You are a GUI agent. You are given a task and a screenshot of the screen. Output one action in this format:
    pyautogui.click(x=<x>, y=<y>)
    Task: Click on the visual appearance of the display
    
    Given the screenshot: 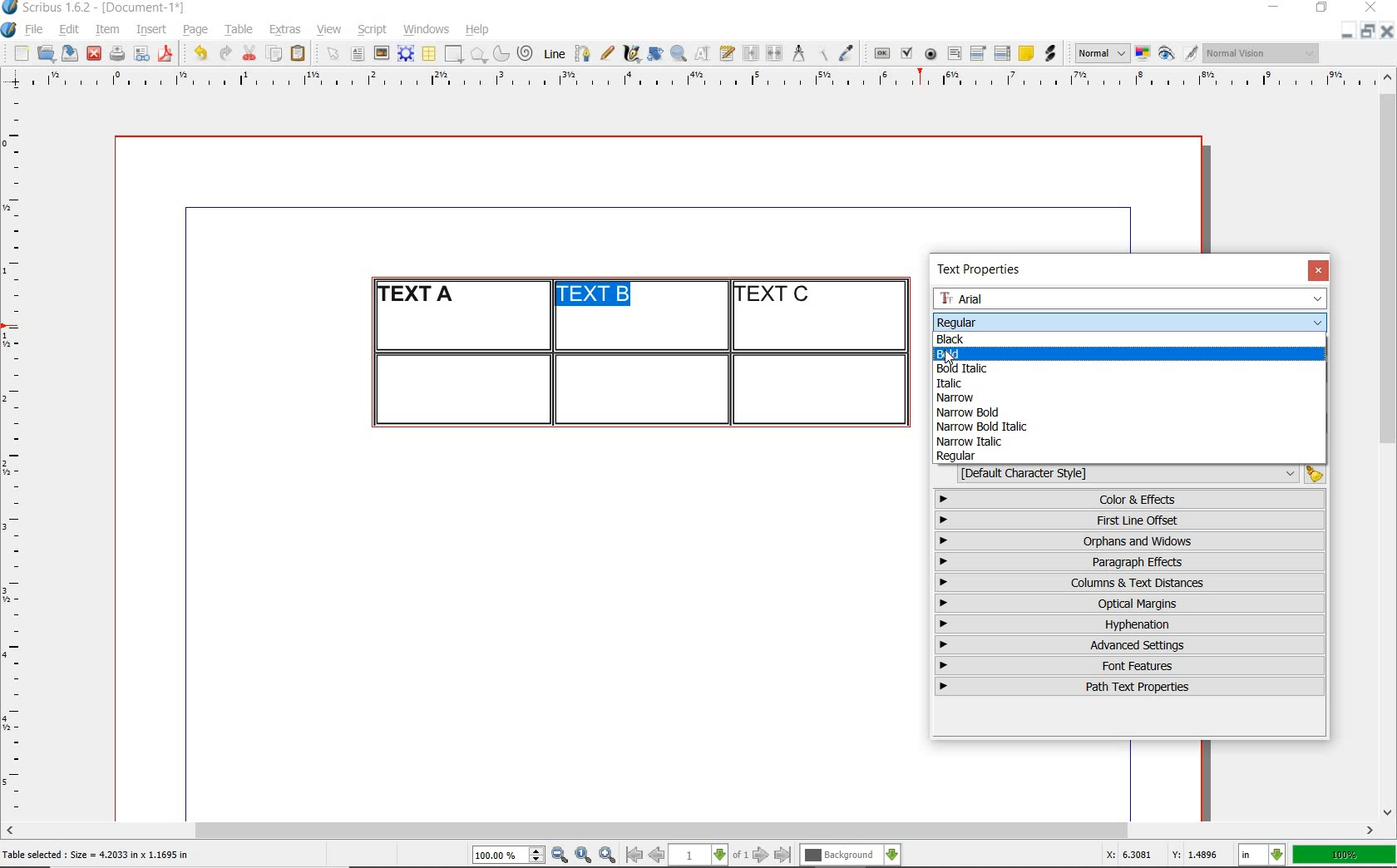 What is the action you would take?
    pyautogui.click(x=1262, y=53)
    